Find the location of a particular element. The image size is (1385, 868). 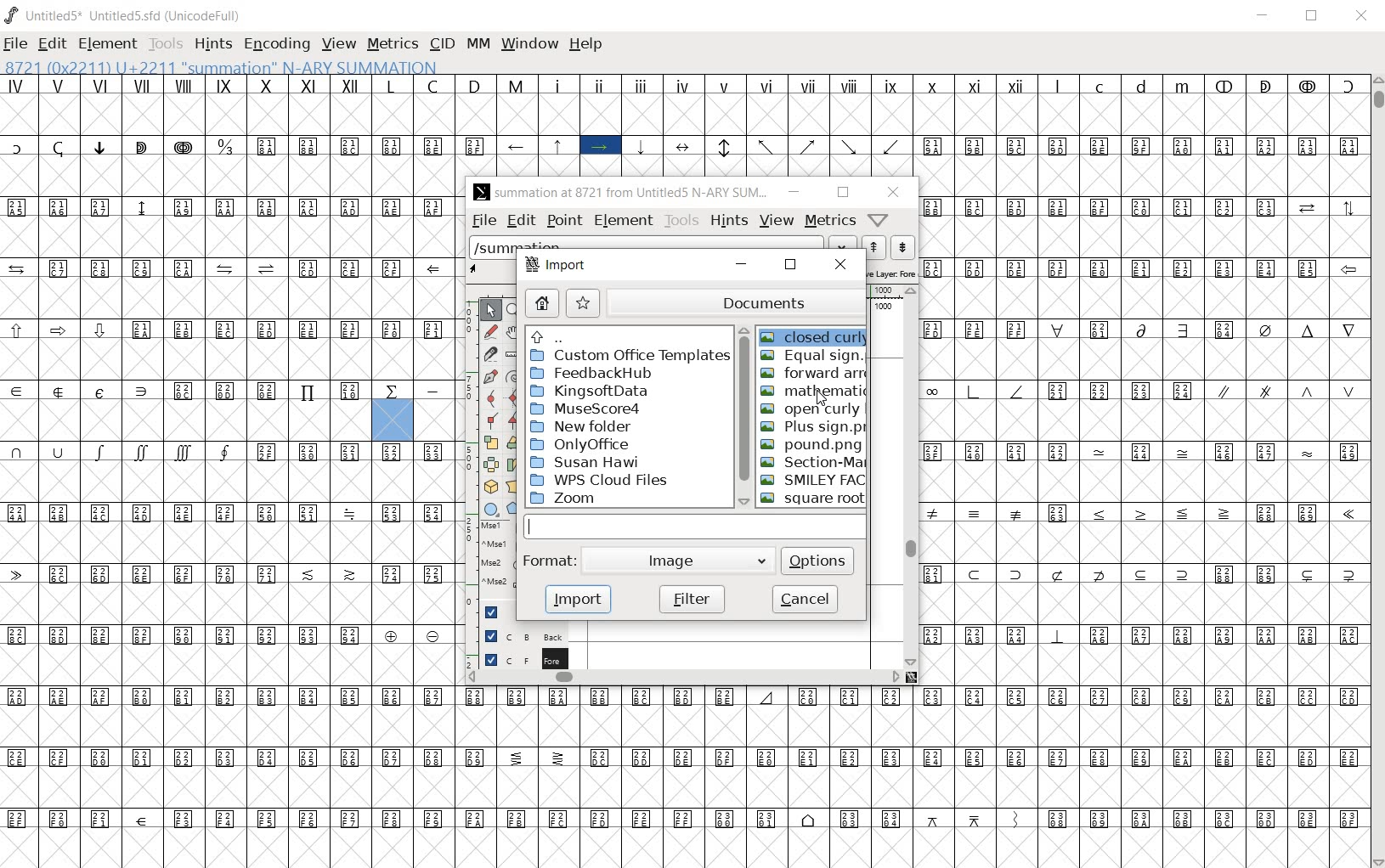

forward arrow is located at coordinates (815, 373).